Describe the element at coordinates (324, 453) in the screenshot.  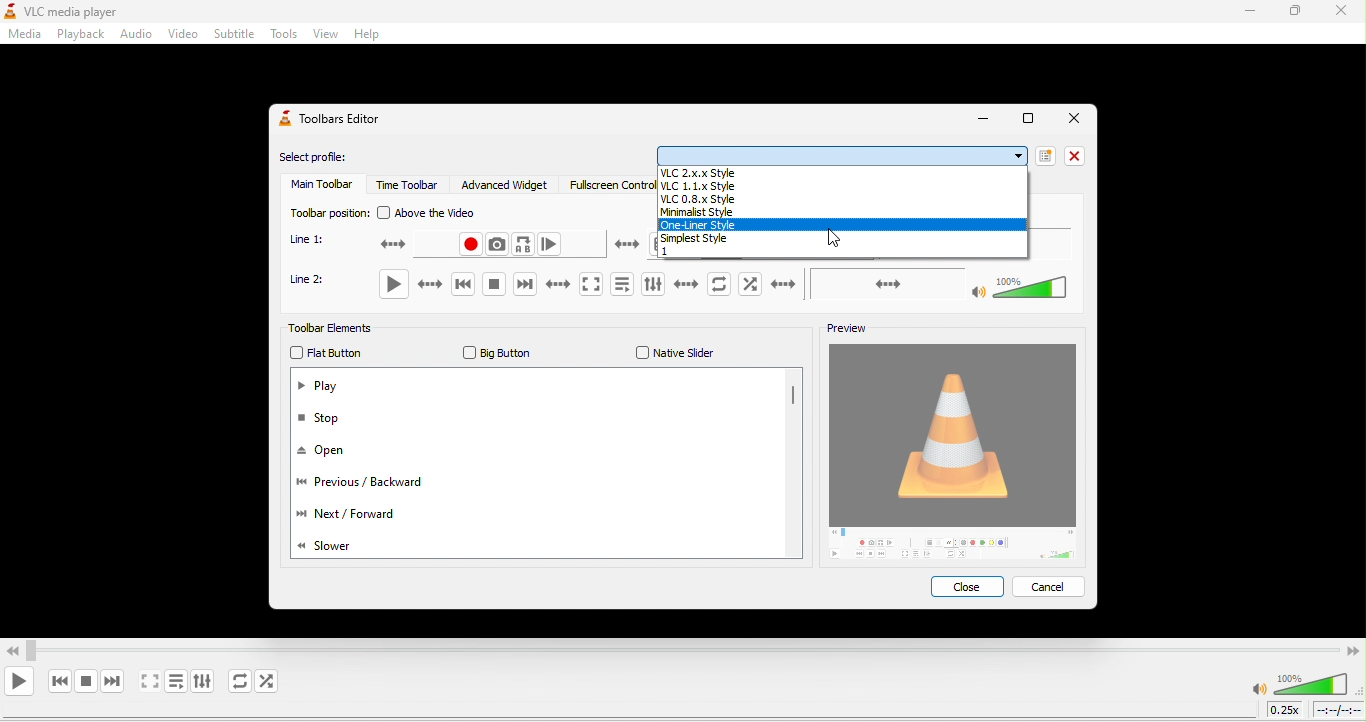
I see `open` at that location.